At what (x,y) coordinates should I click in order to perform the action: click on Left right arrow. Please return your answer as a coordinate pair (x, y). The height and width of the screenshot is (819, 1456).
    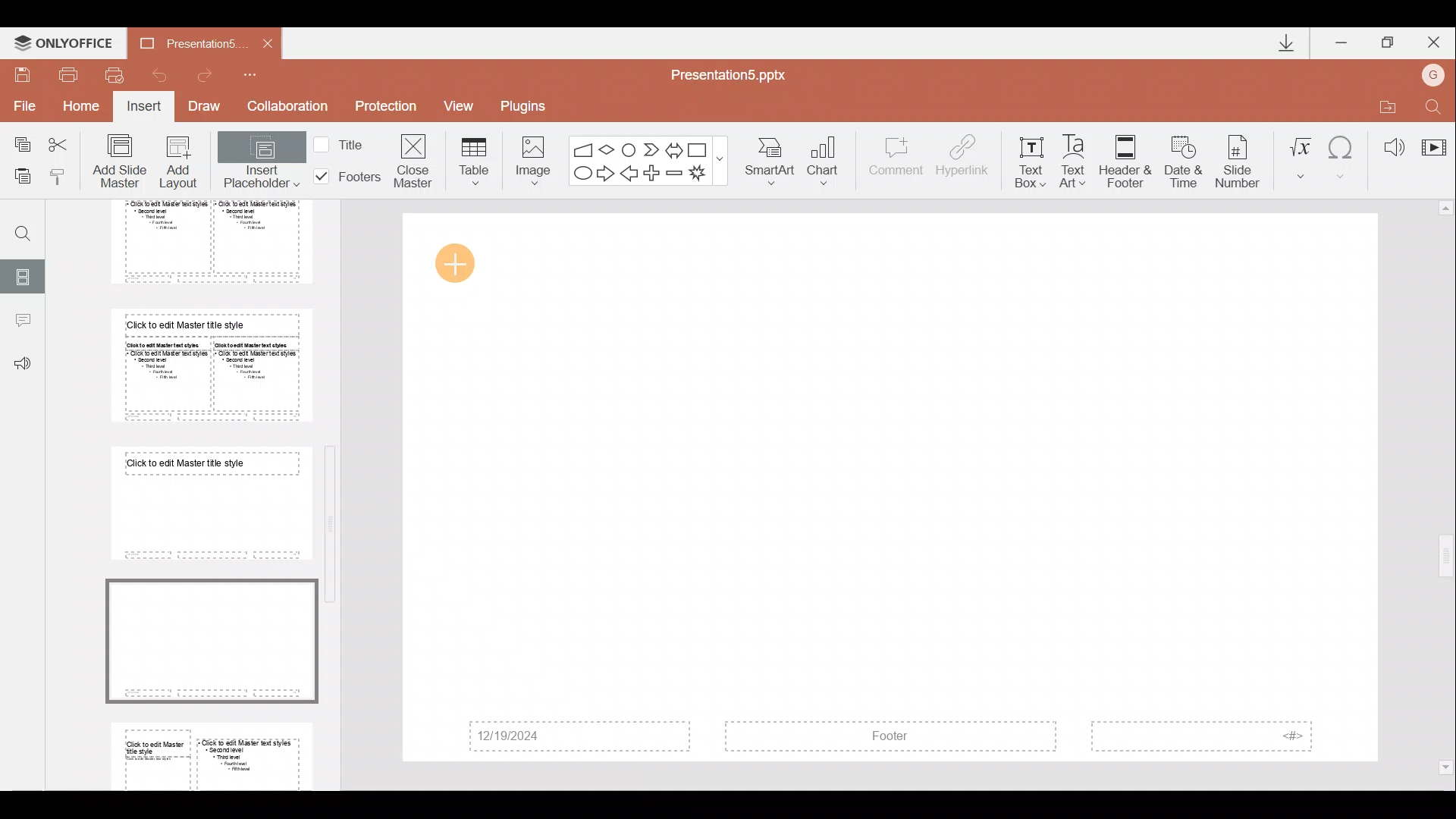
    Looking at the image, I should click on (673, 147).